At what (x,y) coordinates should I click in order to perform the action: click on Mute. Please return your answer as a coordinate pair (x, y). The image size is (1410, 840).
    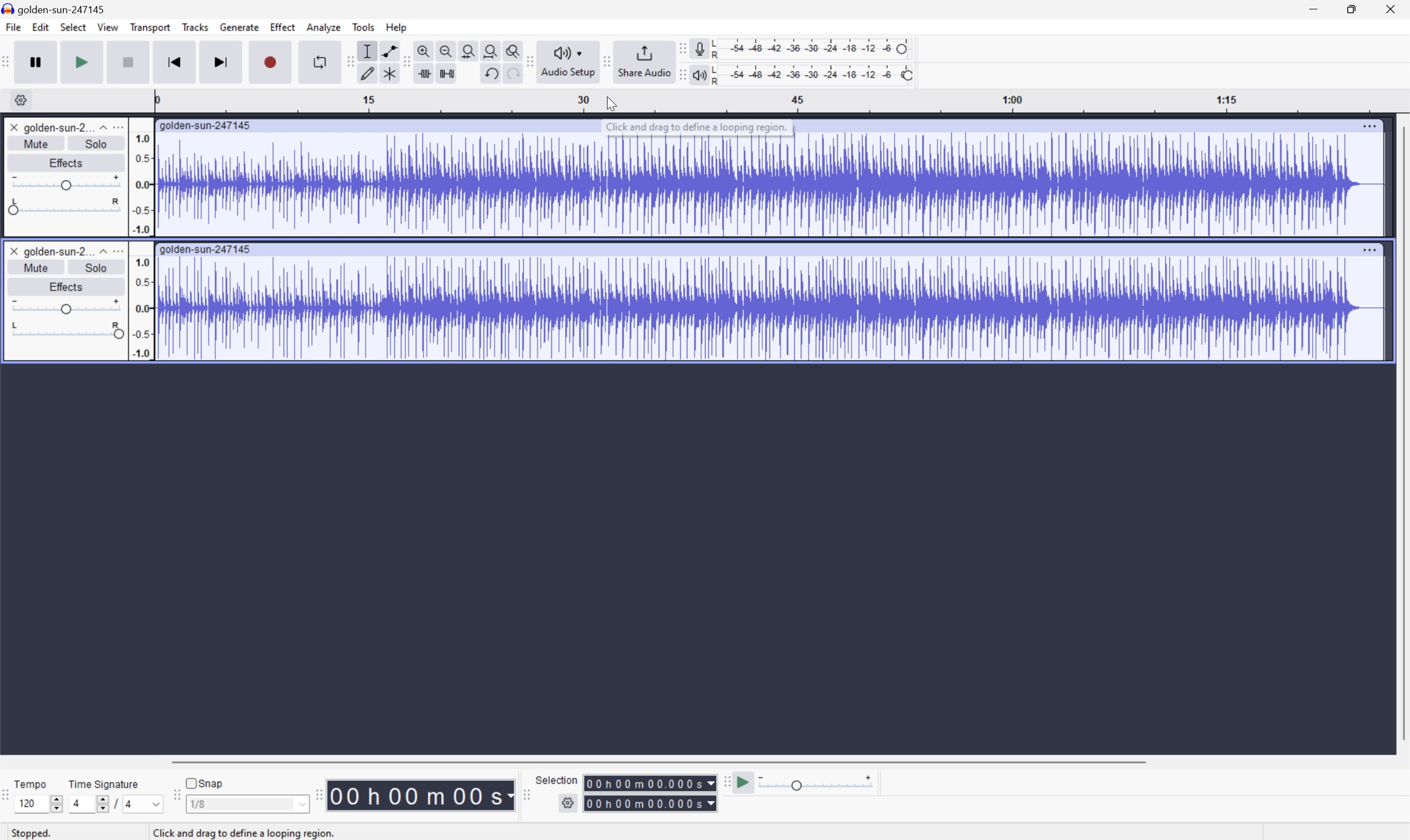
    Looking at the image, I should click on (35, 267).